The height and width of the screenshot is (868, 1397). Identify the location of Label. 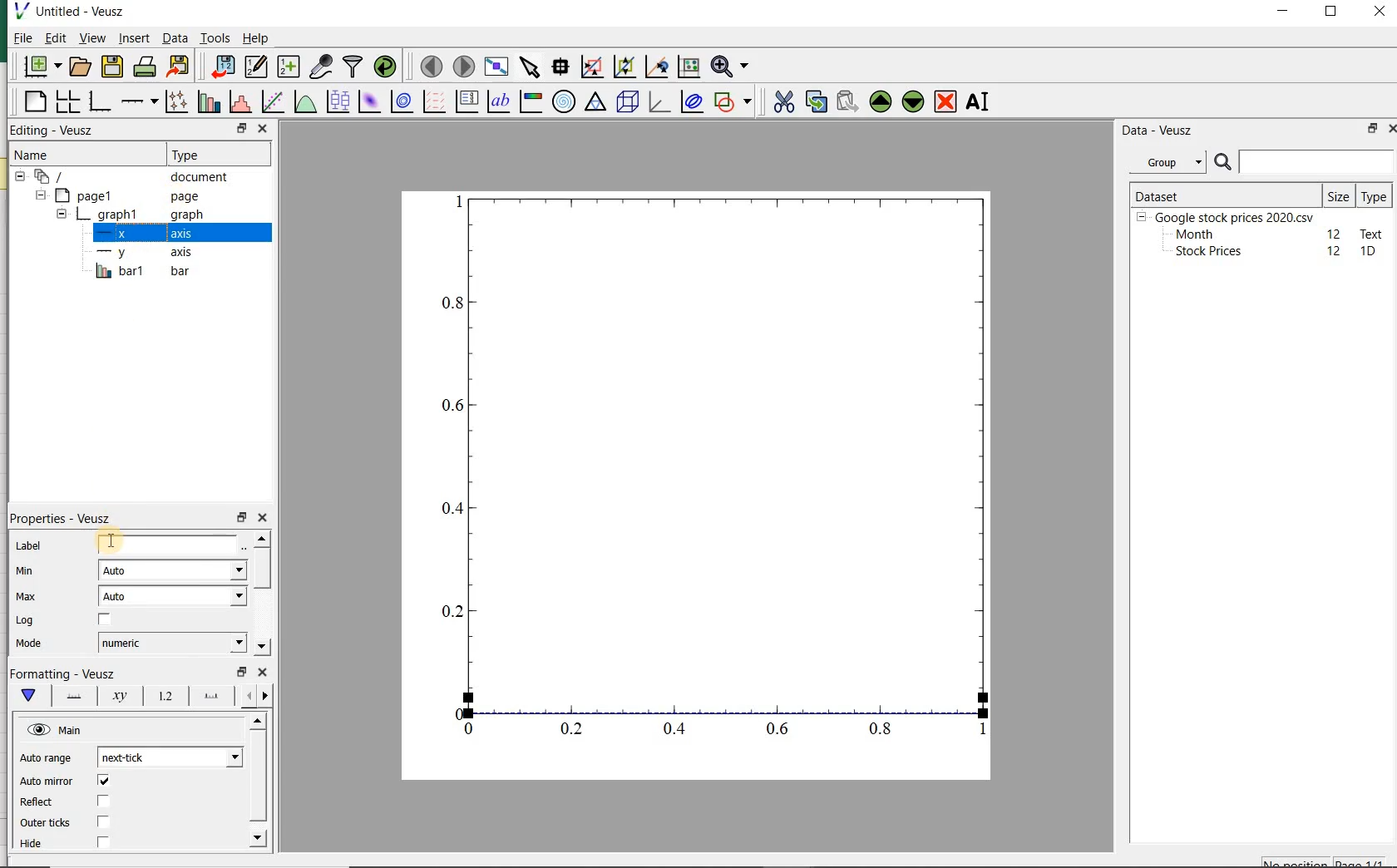
(31, 547).